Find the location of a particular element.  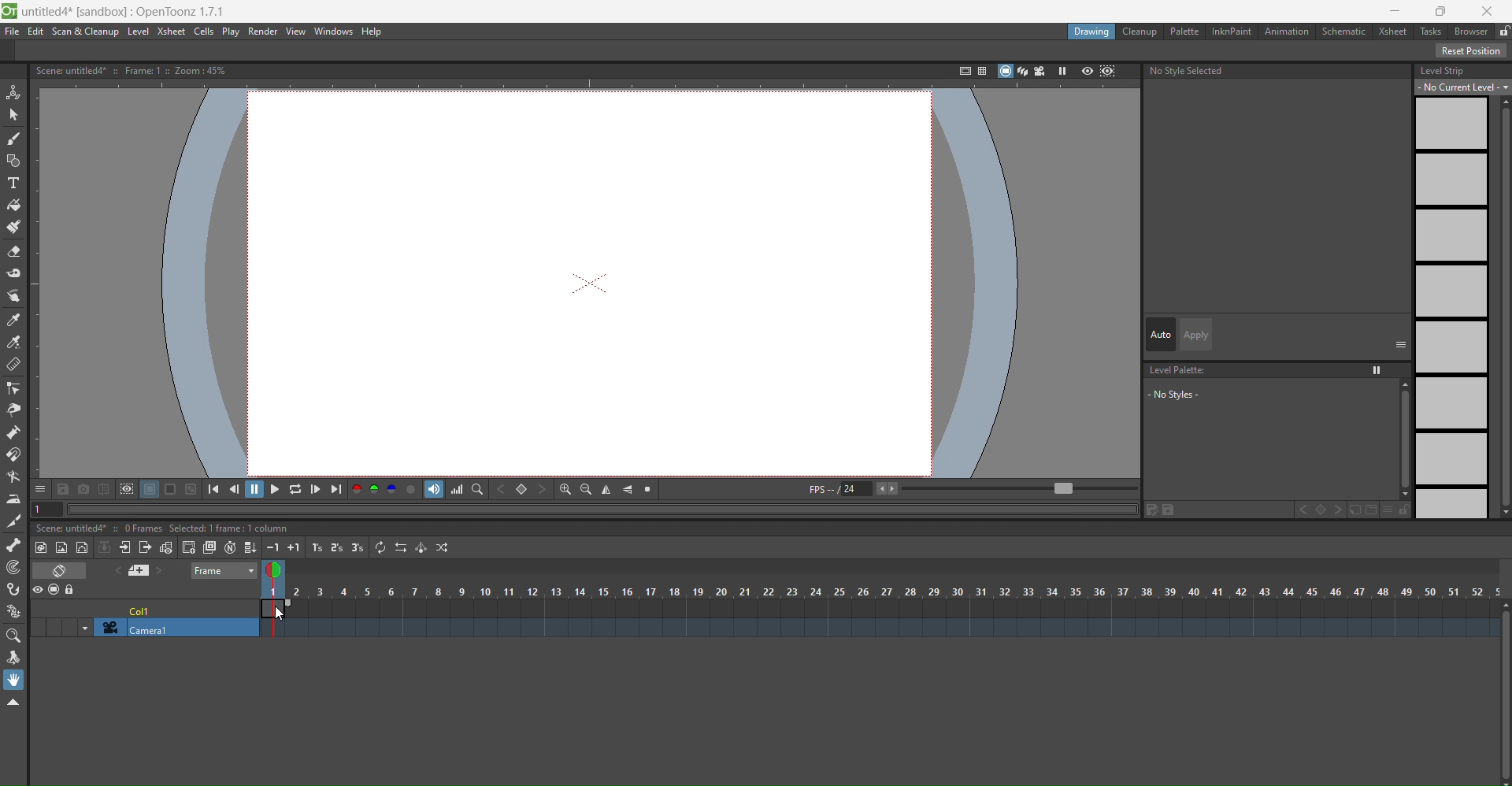

magnifier tool is located at coordinates (13, 637).